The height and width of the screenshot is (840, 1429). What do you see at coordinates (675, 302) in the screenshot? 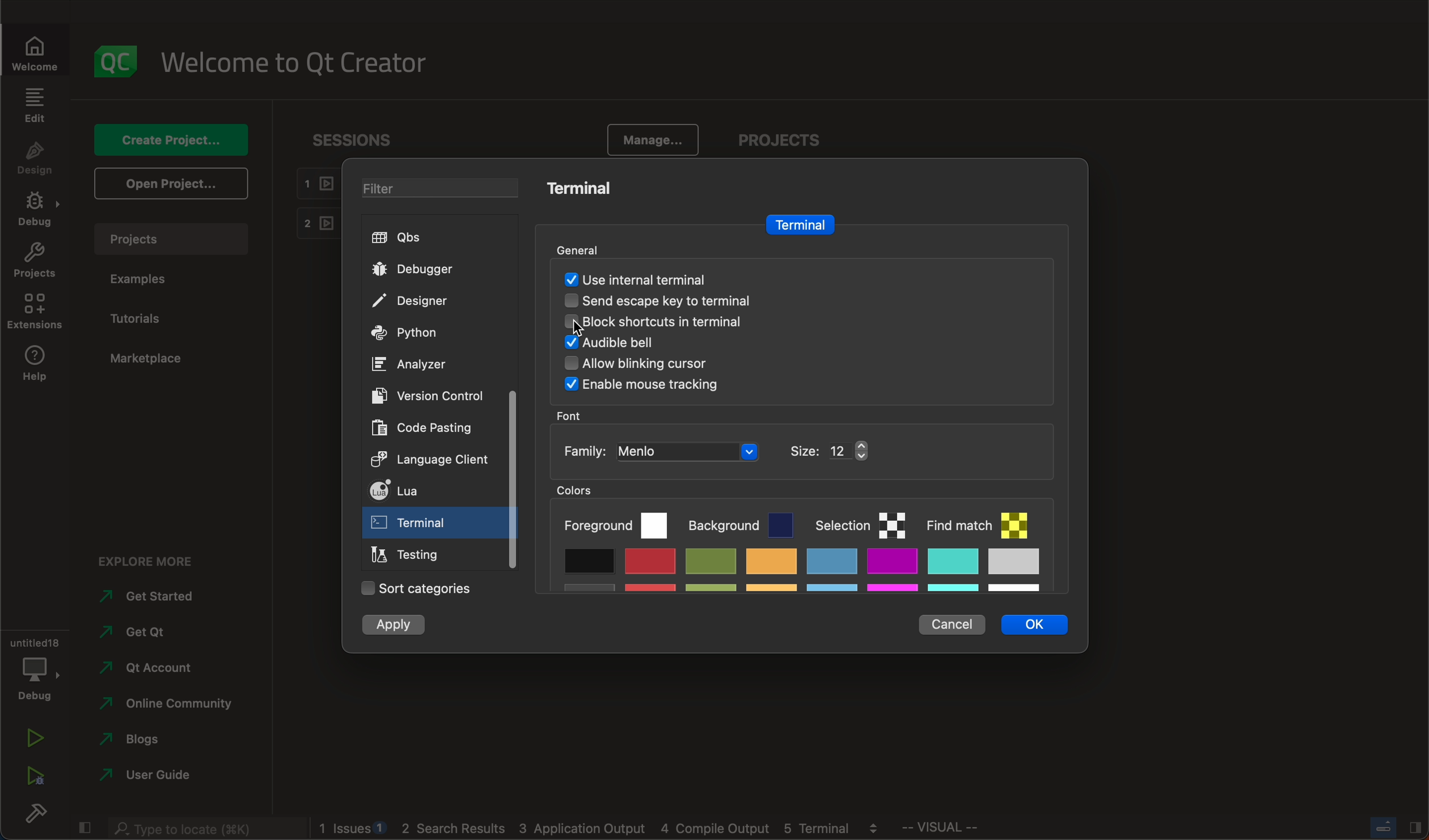
I see `send escape key` at bounding box center [675, 302].